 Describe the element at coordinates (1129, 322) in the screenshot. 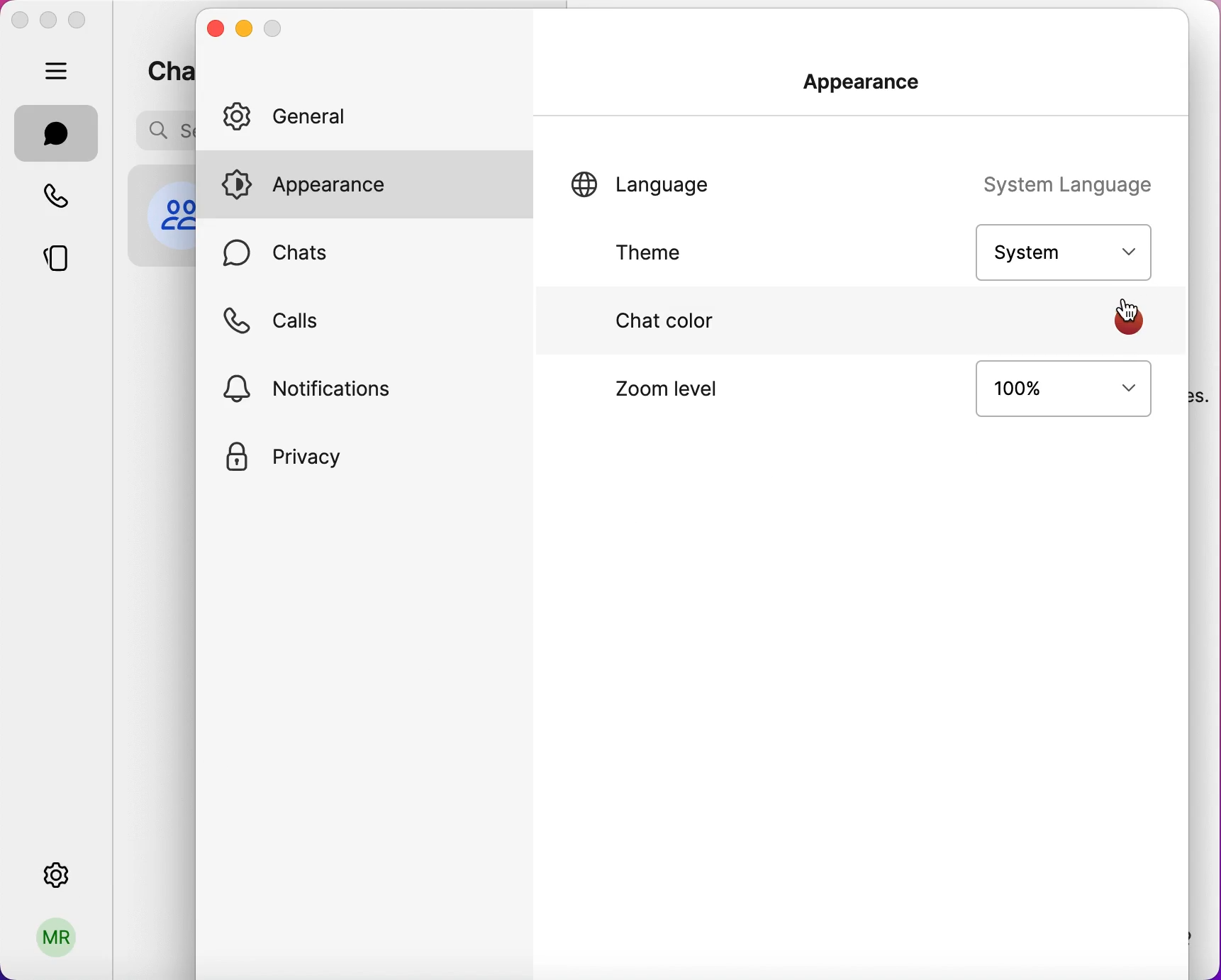

I see `color` at that location.